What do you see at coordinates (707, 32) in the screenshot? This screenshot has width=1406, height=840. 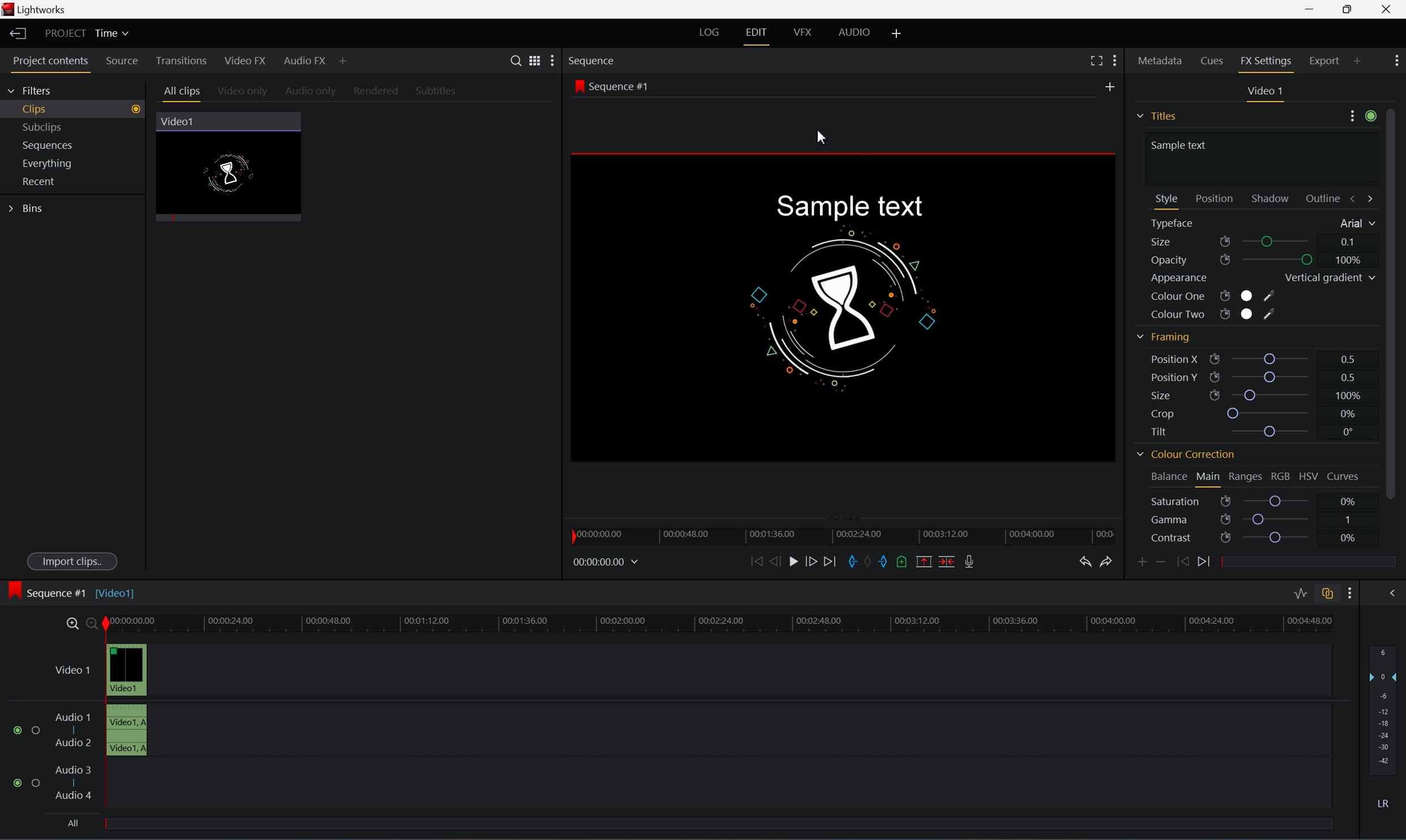 I see `log` at bounding box center [707, 32].